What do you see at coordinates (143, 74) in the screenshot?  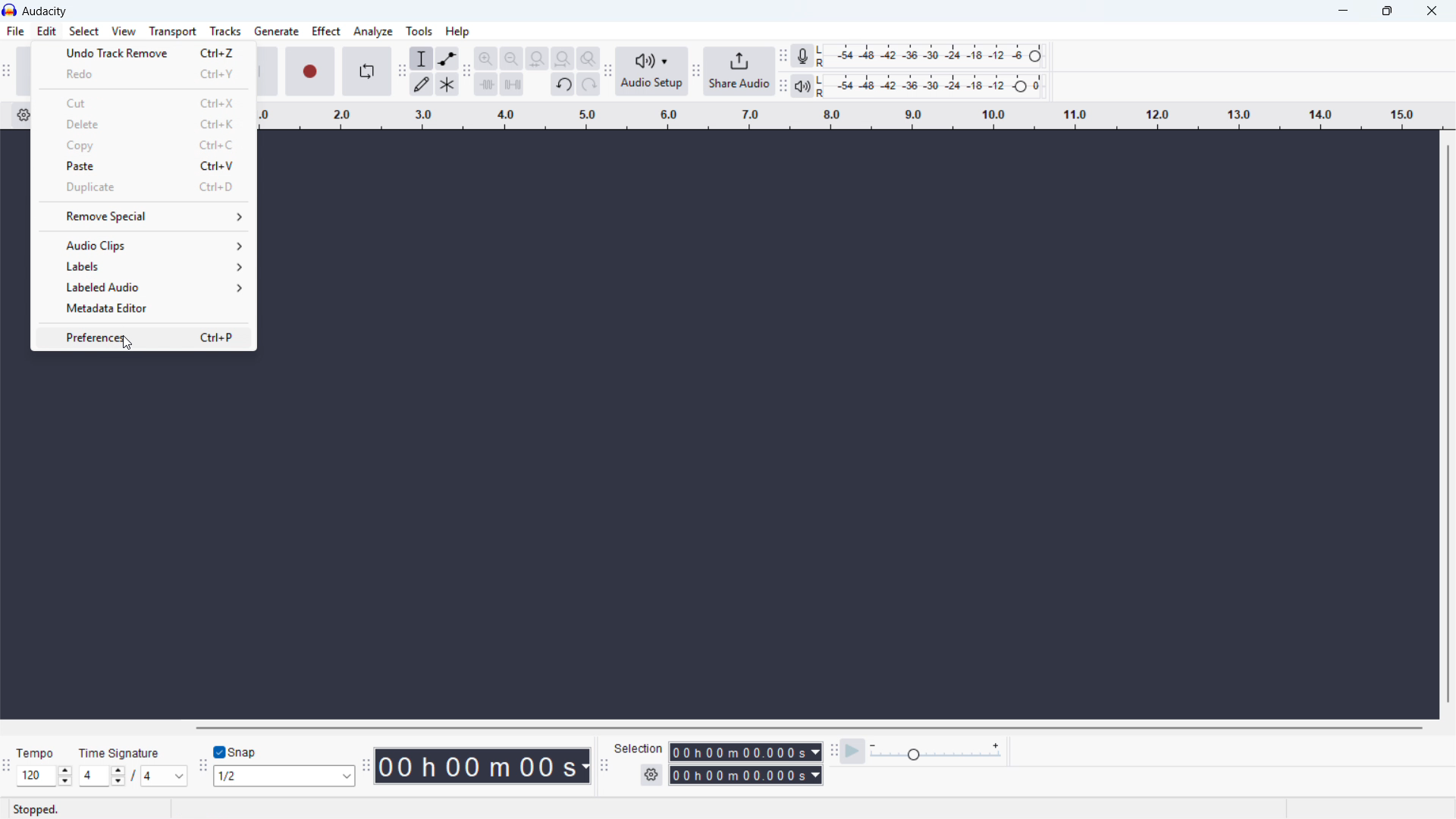 I see `redo` at bounding box center [143, 74].